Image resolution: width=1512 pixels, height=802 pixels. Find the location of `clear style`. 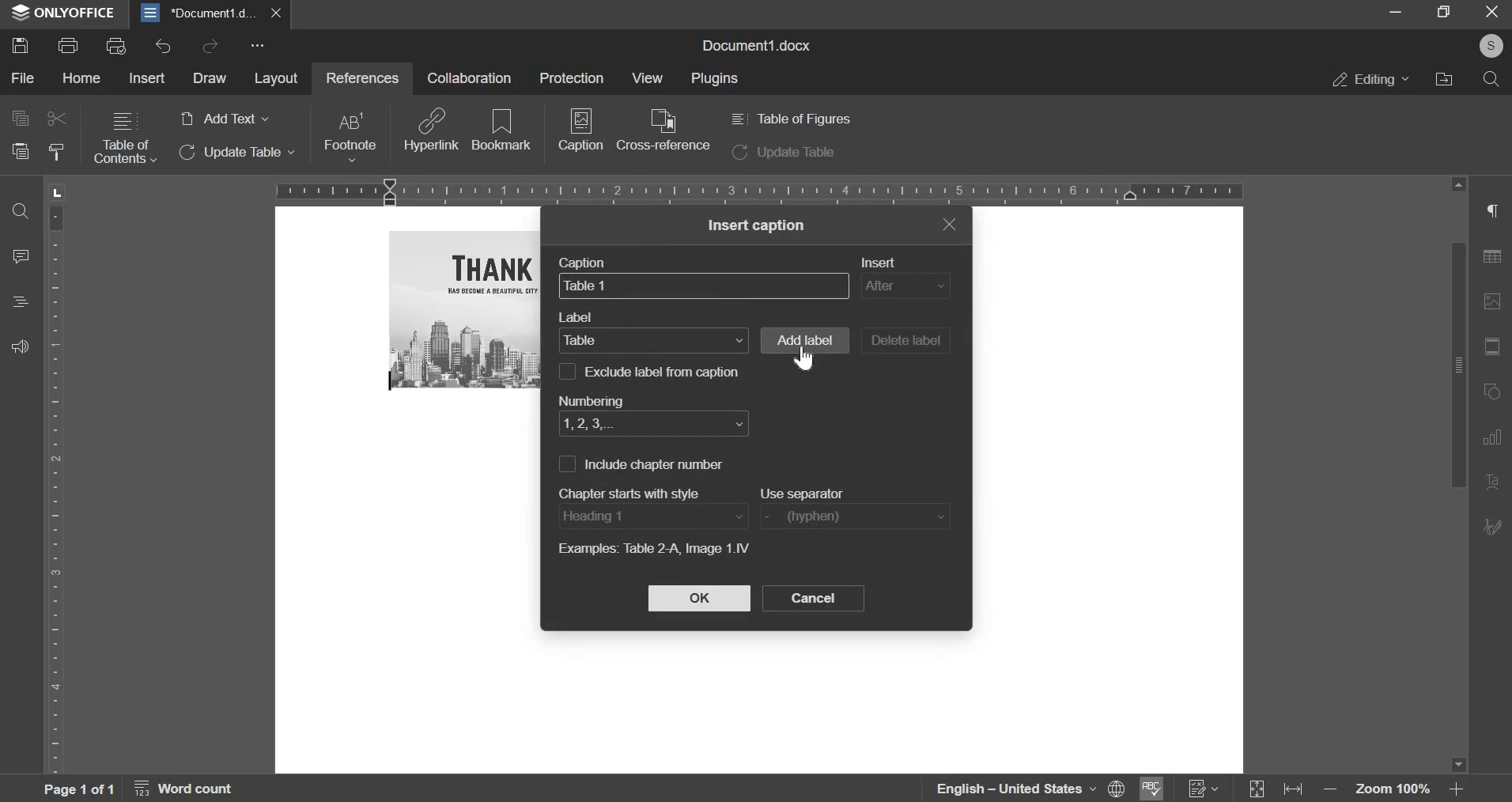

clear style is located at coordinates (56, 153).